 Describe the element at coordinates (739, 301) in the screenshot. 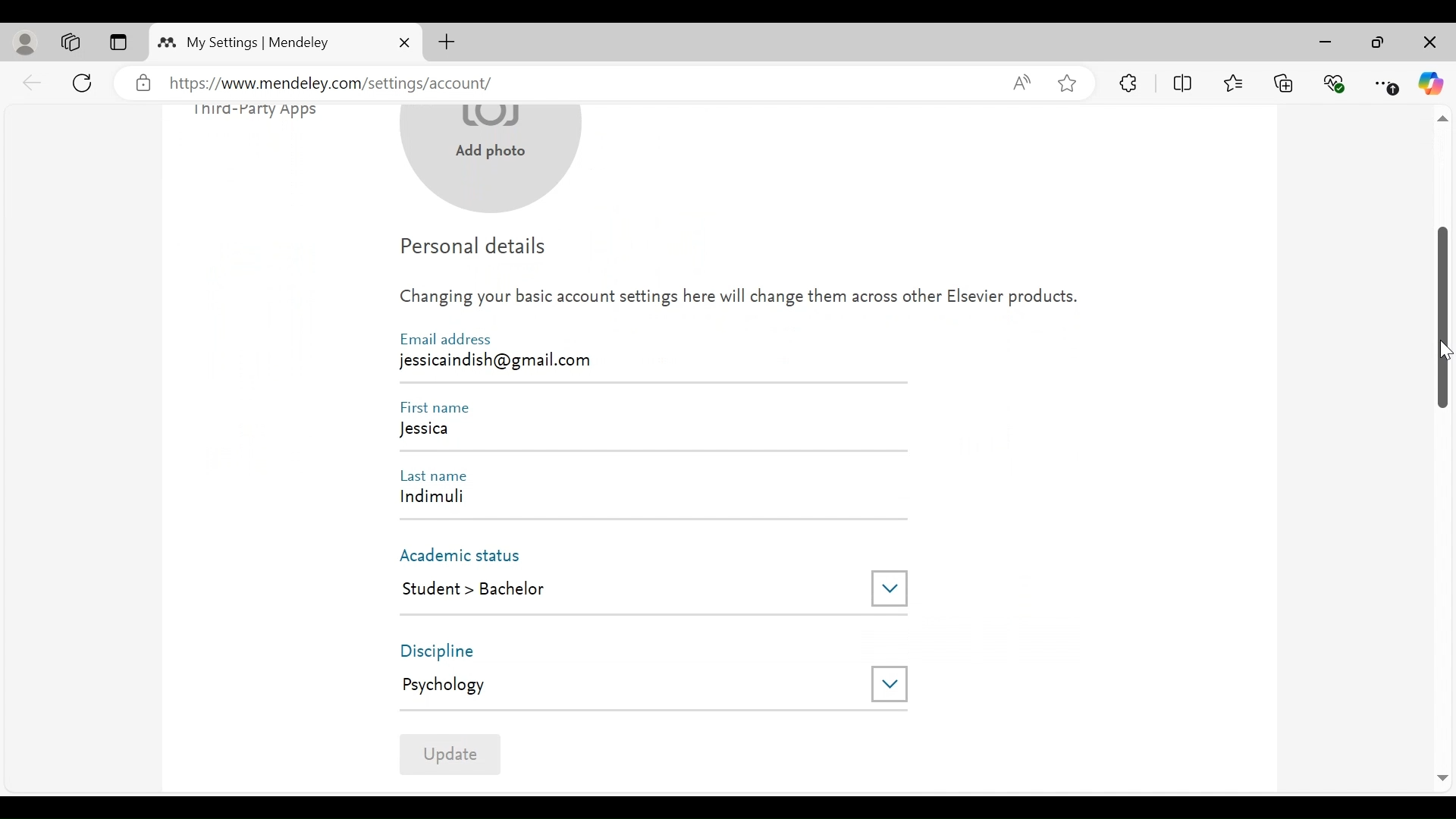

I see `Changing your basic account settings here will change them across other Elsevier products` at that location.